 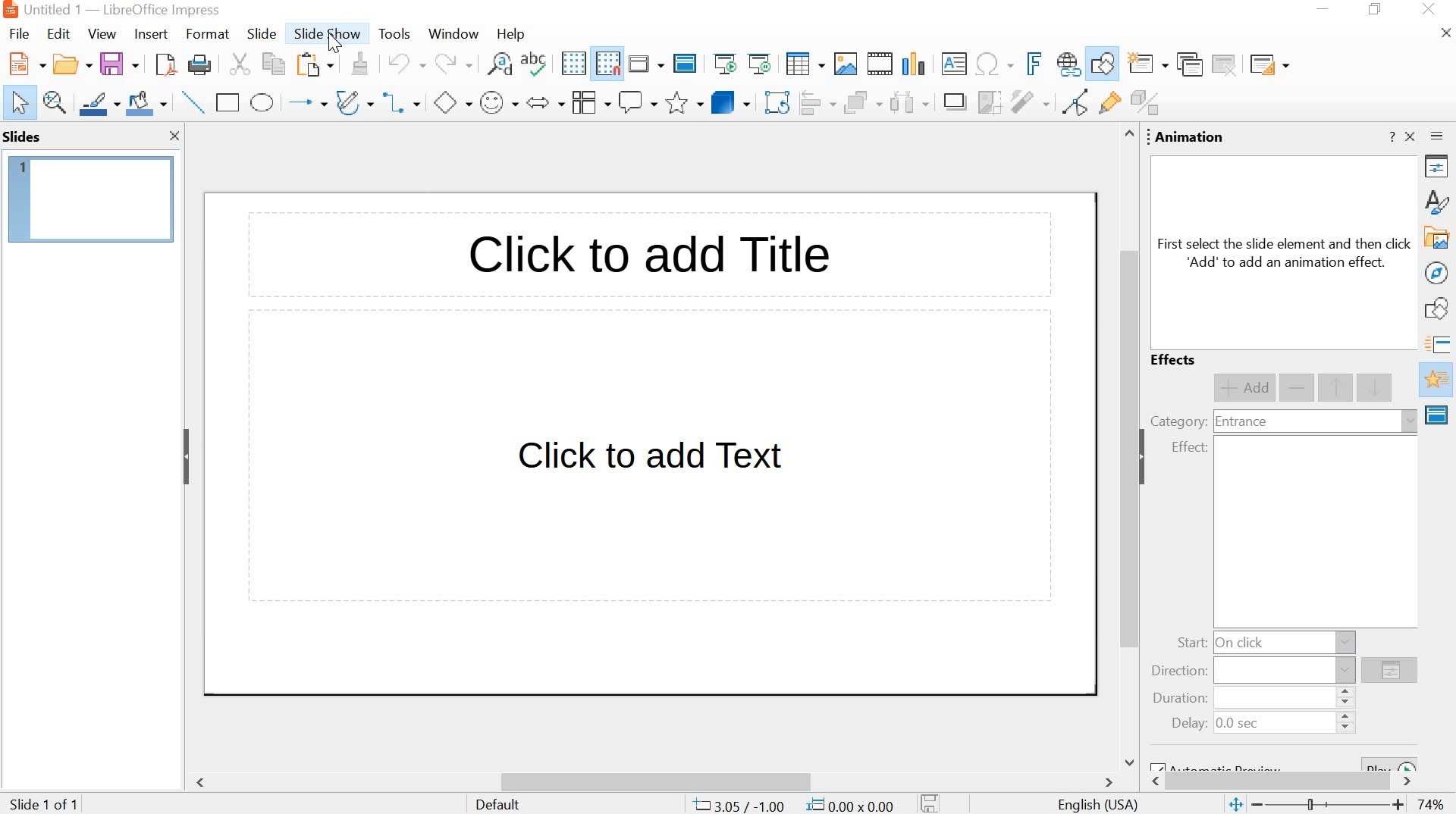 What do you see at coordinates (149, 34) in the screenshot?
I see `insert menu` at bounding box center [149, 34].